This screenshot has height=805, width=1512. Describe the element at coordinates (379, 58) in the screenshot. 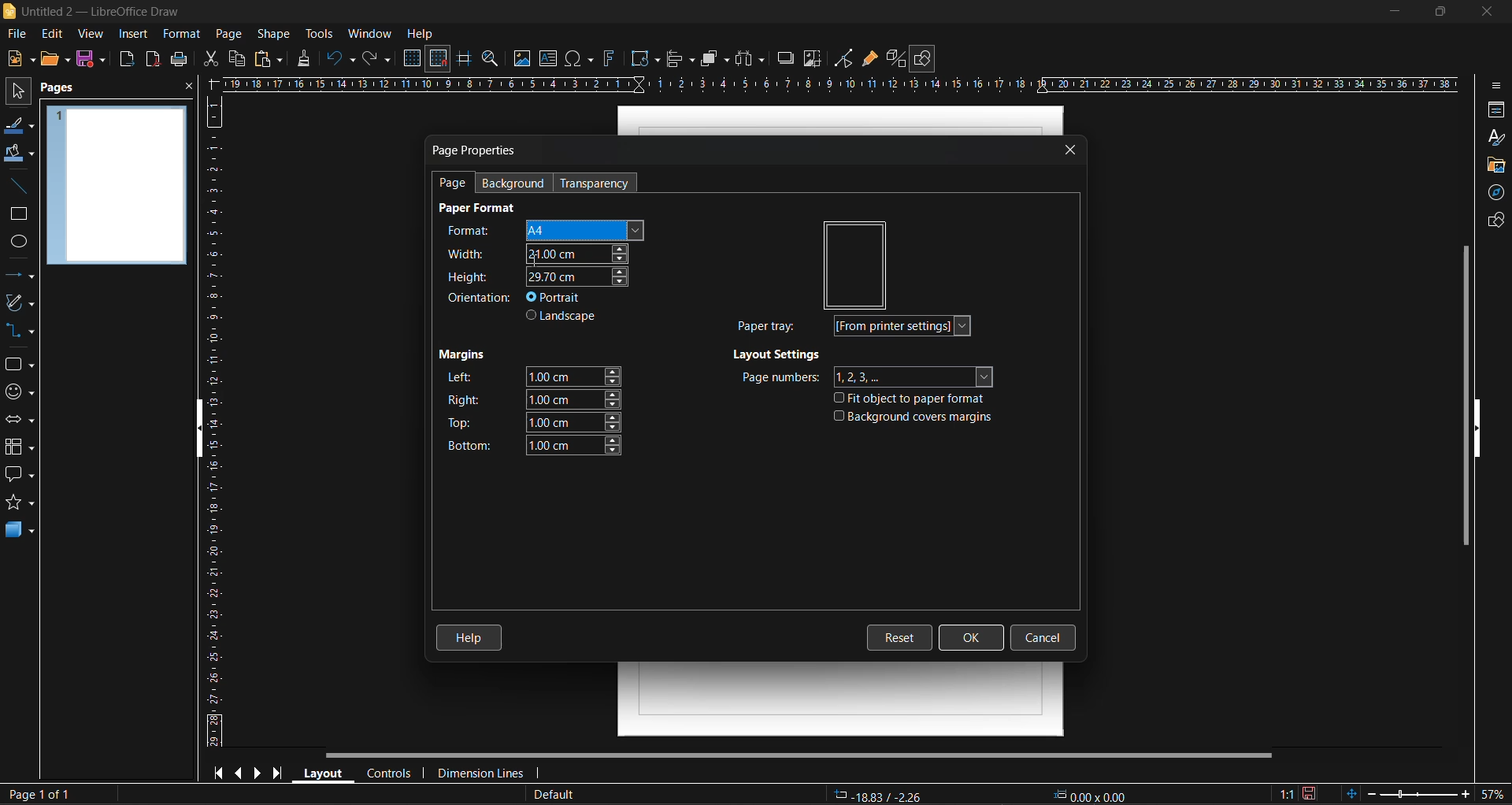

I see `redo` at that location.